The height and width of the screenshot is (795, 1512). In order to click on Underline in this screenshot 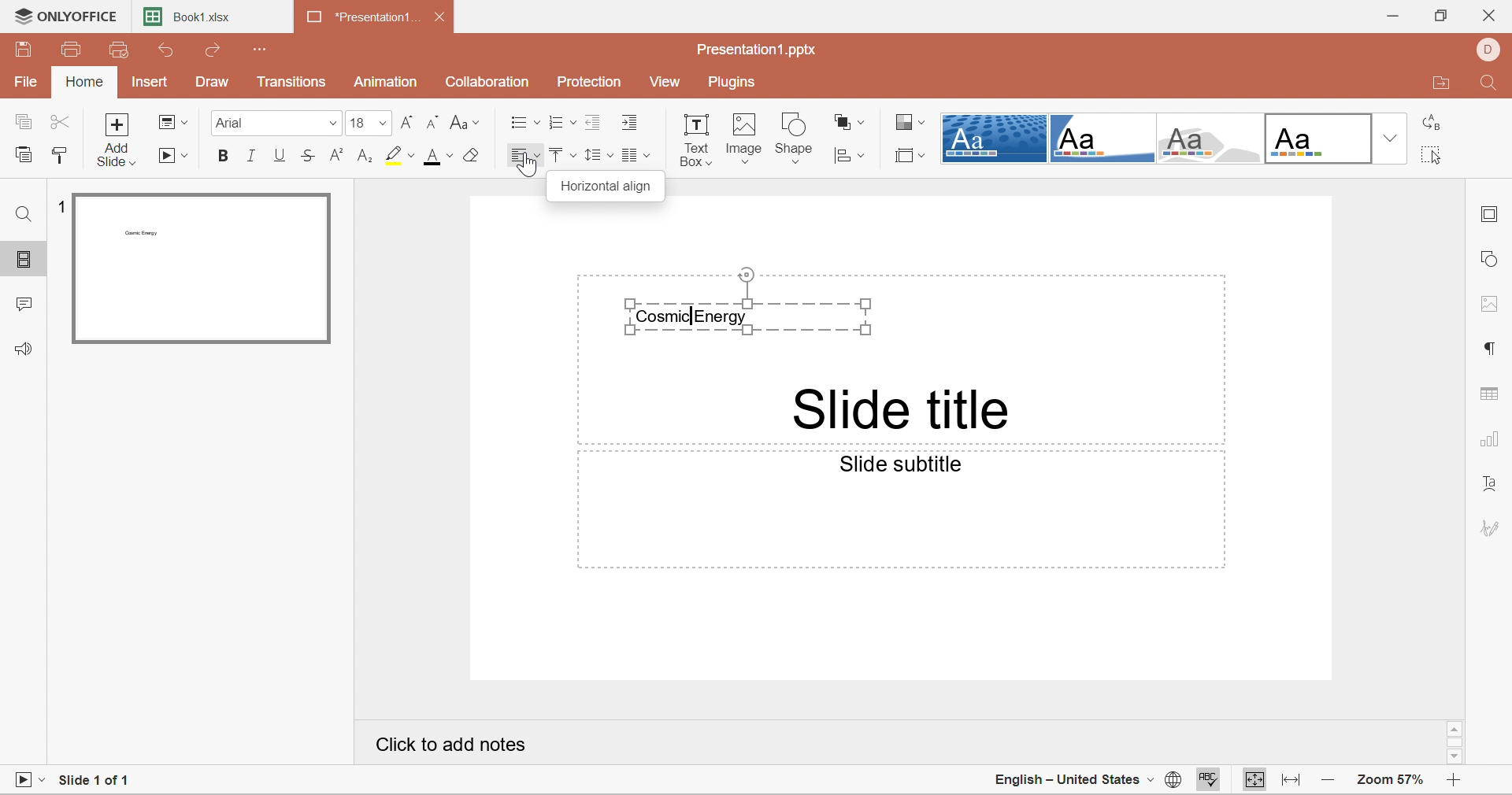, I will do `click(280, 156)`.